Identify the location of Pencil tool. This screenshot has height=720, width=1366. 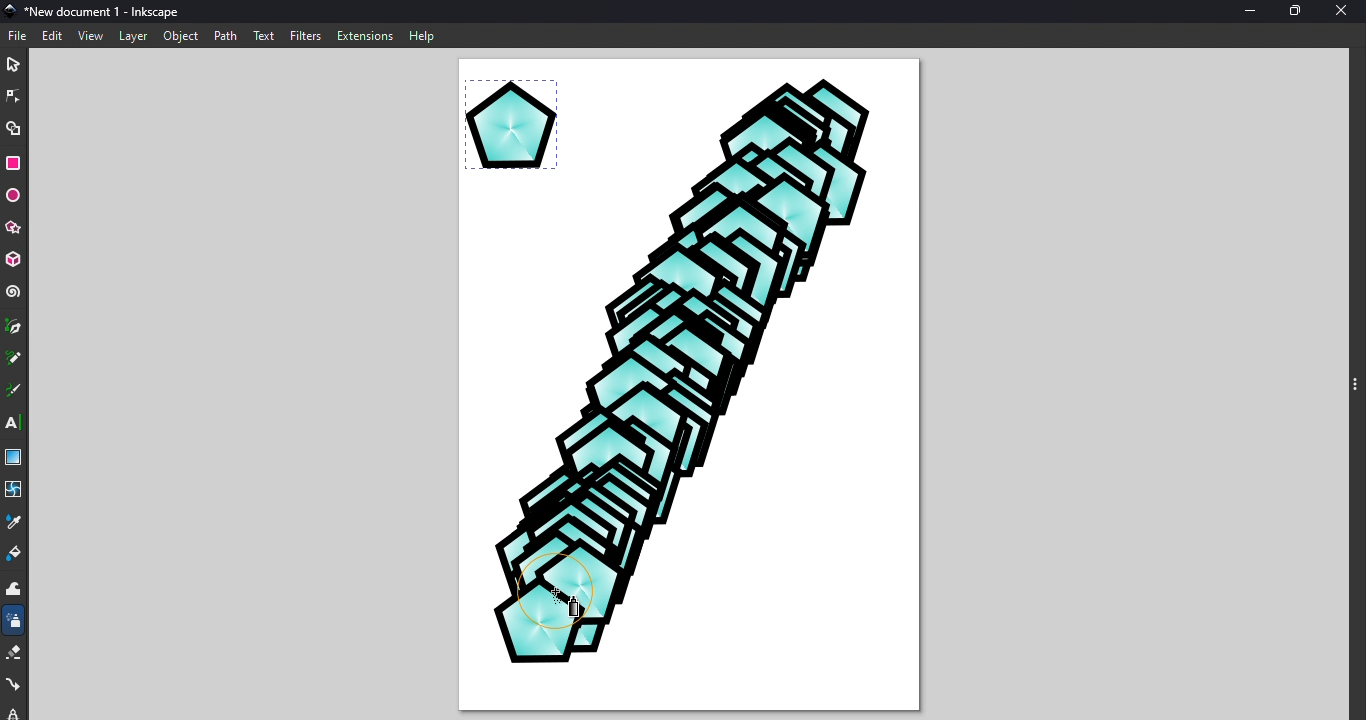
(13, 357).